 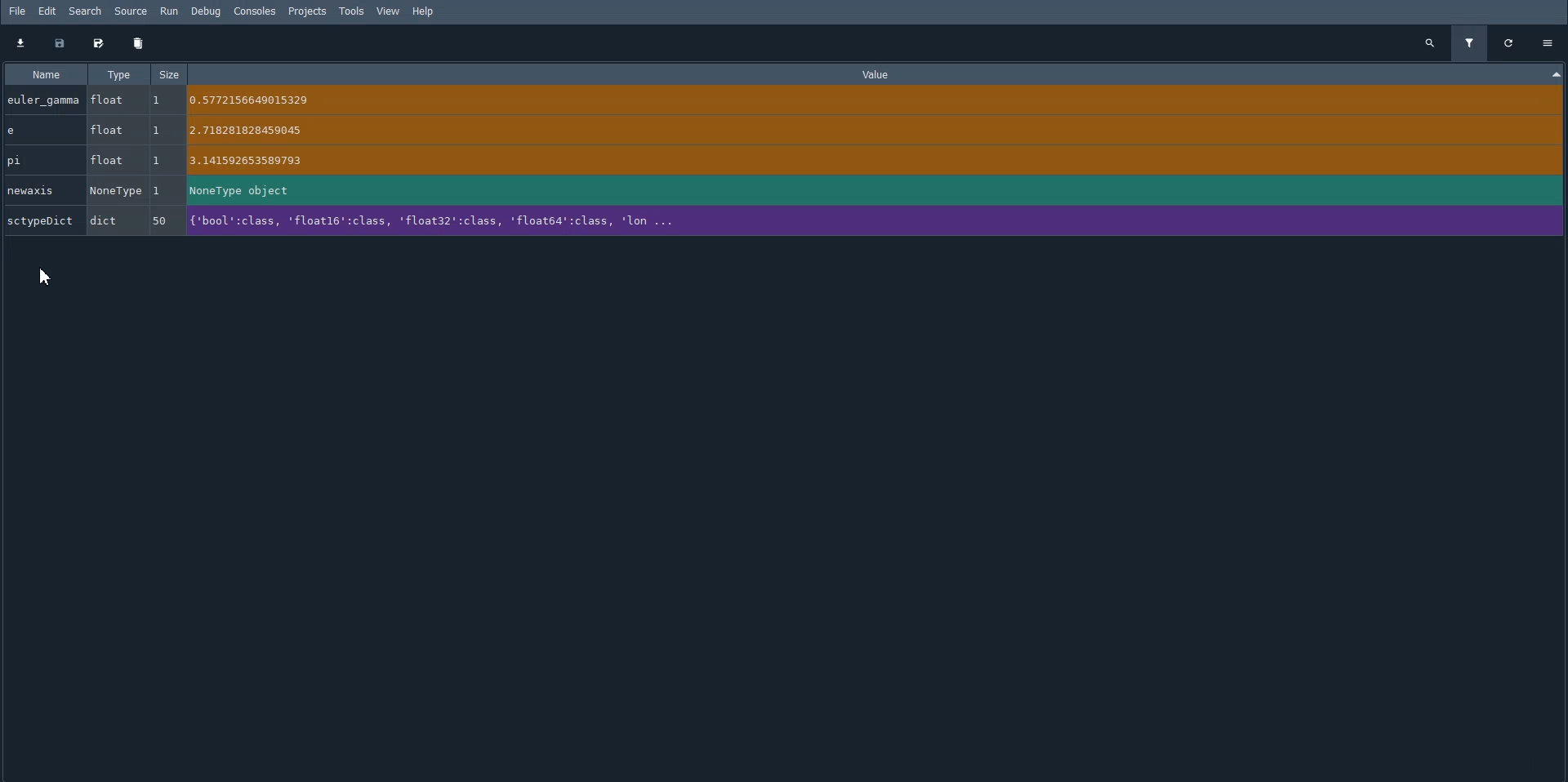 I want to click on Edit, so click(x=47, y=11).